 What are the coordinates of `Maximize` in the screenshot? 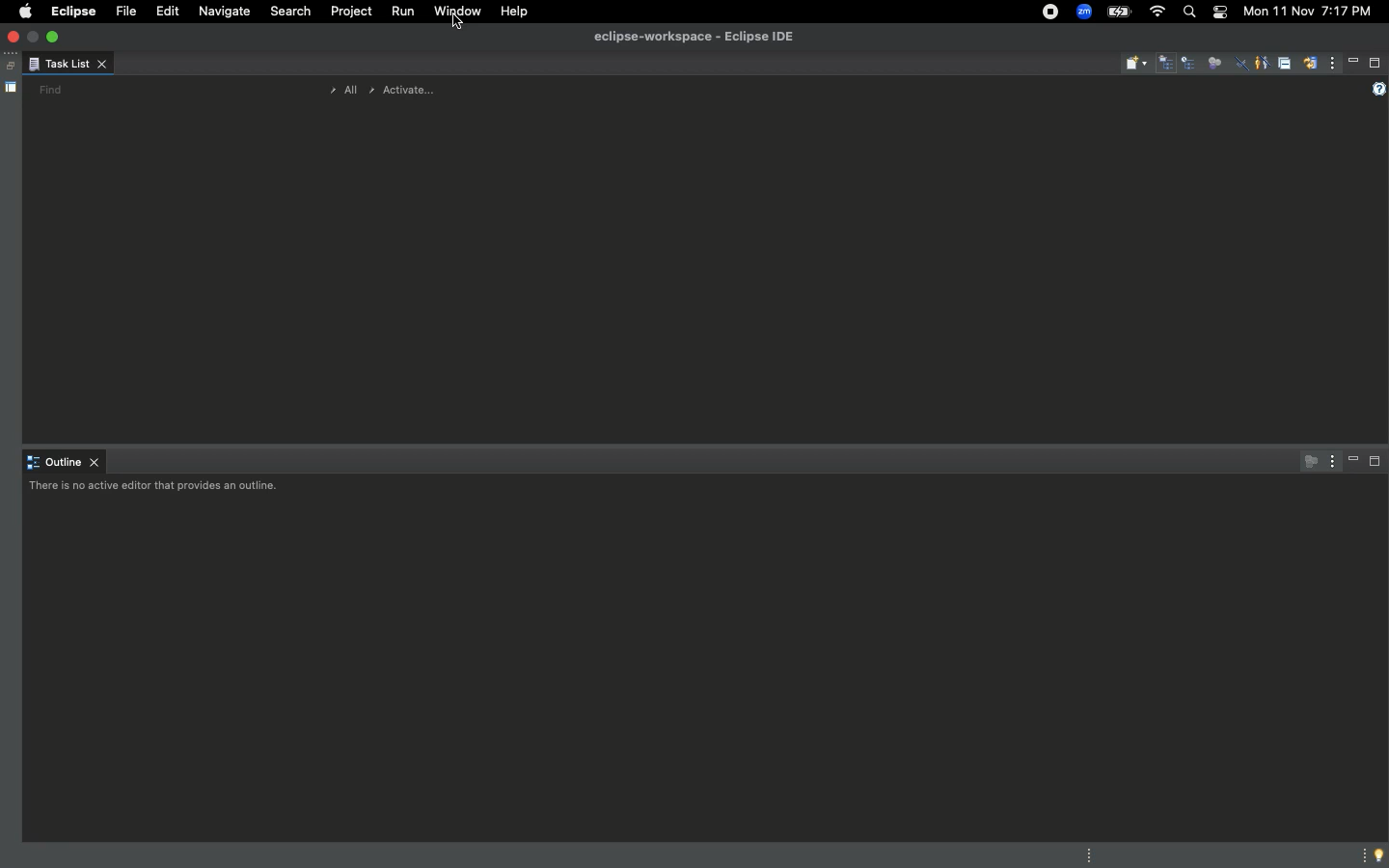 It's located at (1375, 465).